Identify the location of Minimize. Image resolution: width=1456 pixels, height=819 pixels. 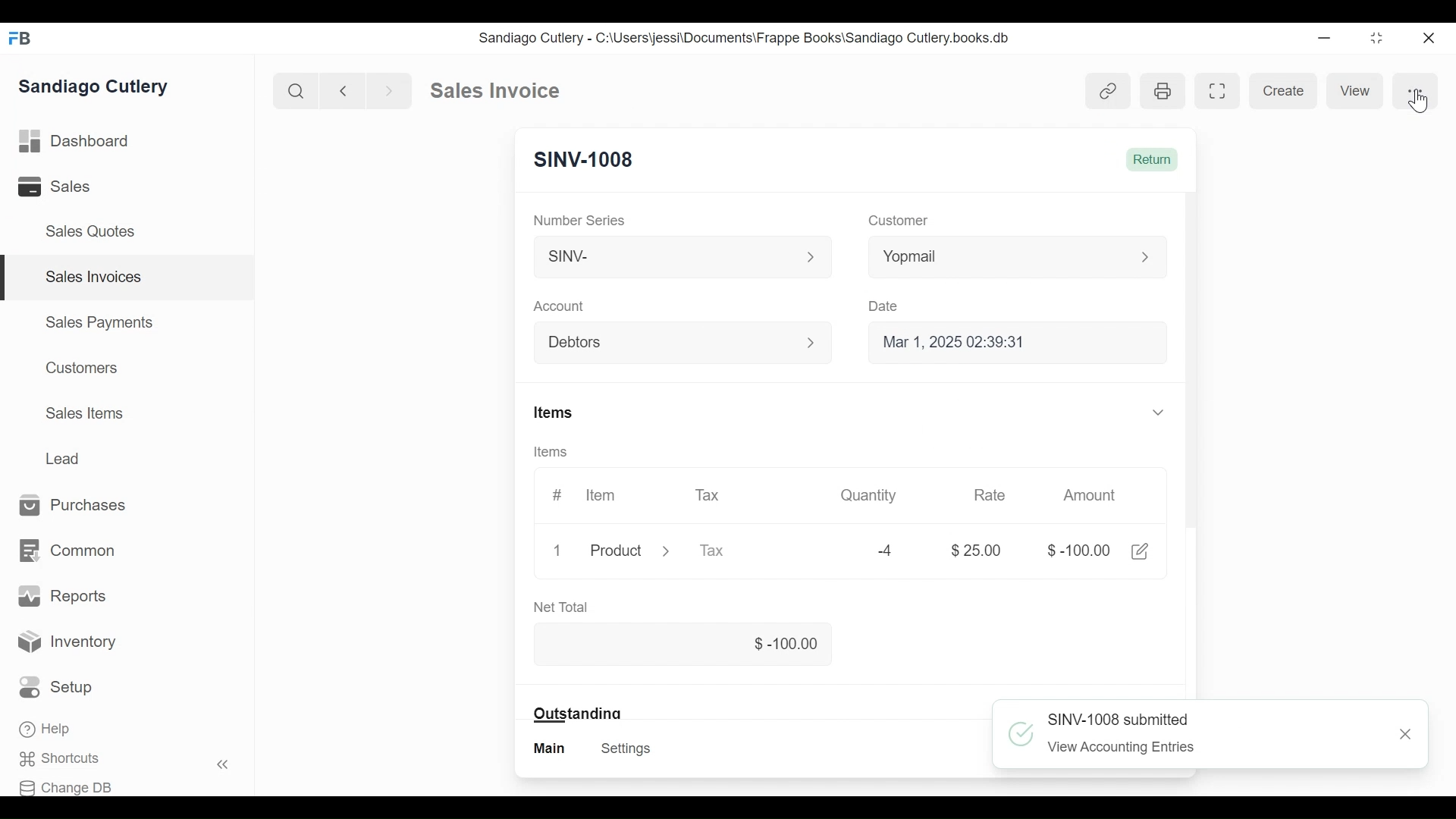
(1323, 38).